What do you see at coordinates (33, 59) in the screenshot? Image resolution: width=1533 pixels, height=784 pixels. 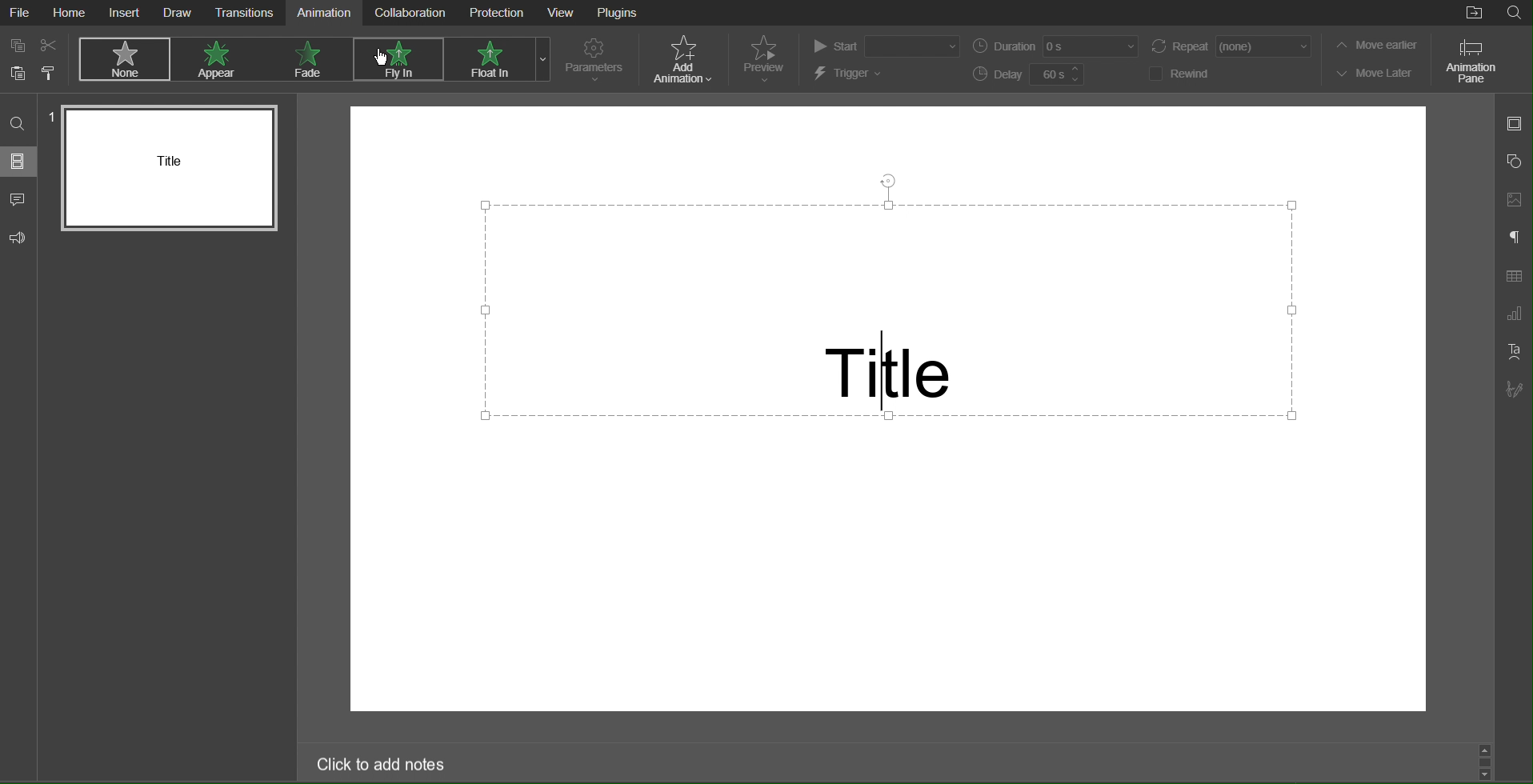 I see `Cut Copy Paste` at bounding box center [33, 59].